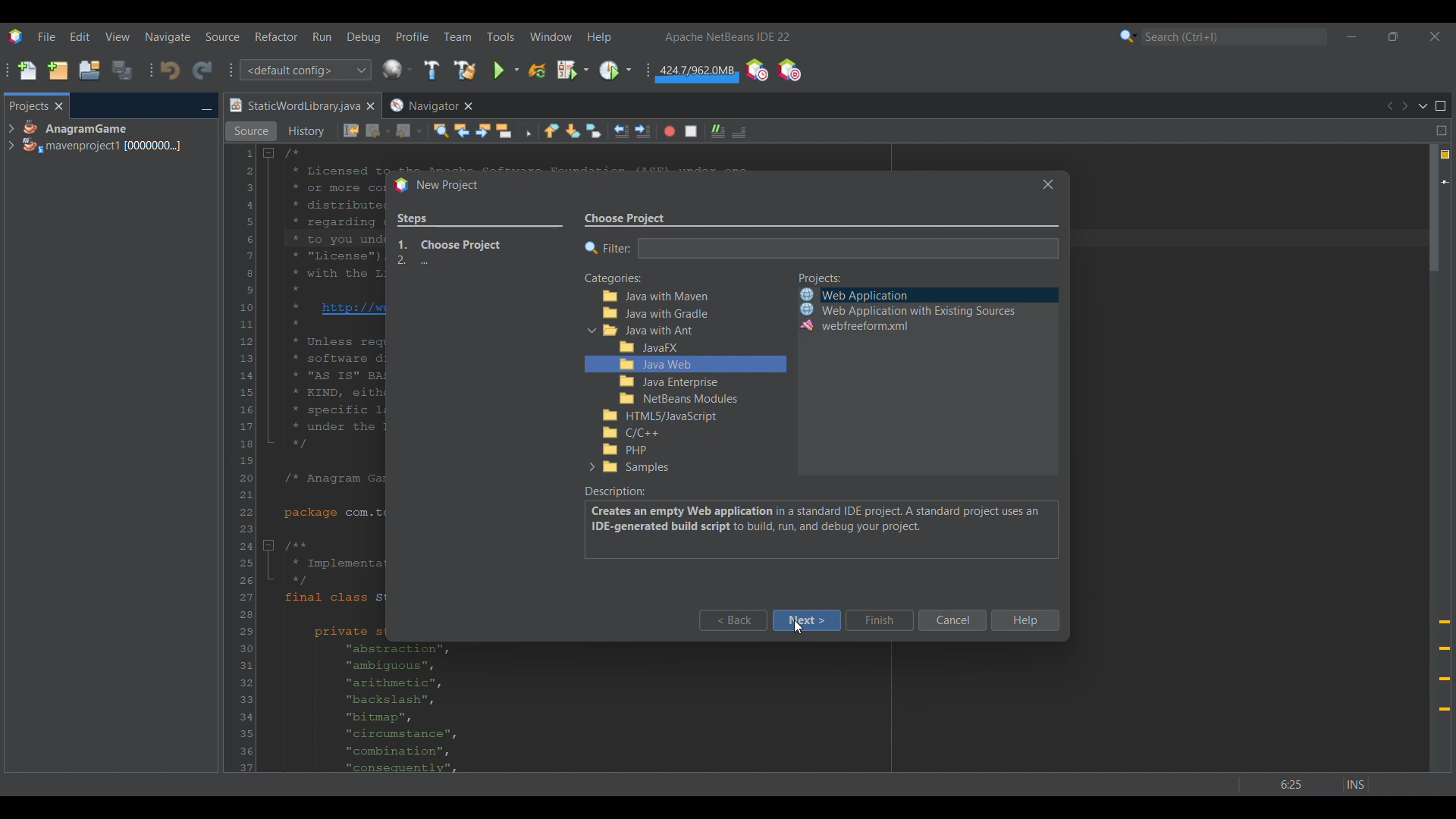 This screenshot has width=1456, height=819. Describe the element at coordinates (1435, 36) in the screenshot. I see `Close interface` at that location.